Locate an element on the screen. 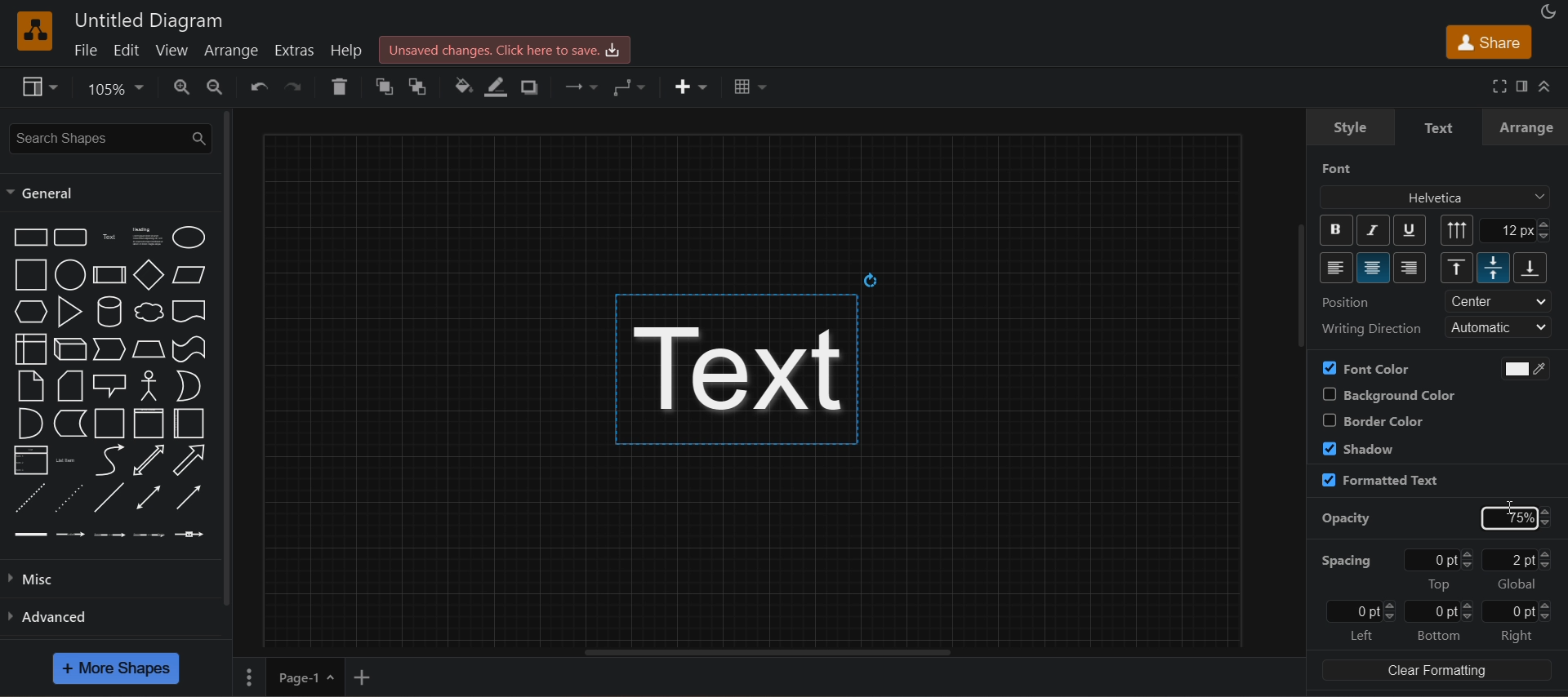 The width and height of the screenshot is (1568, 697). shadow is located at coordinates (532, 87).